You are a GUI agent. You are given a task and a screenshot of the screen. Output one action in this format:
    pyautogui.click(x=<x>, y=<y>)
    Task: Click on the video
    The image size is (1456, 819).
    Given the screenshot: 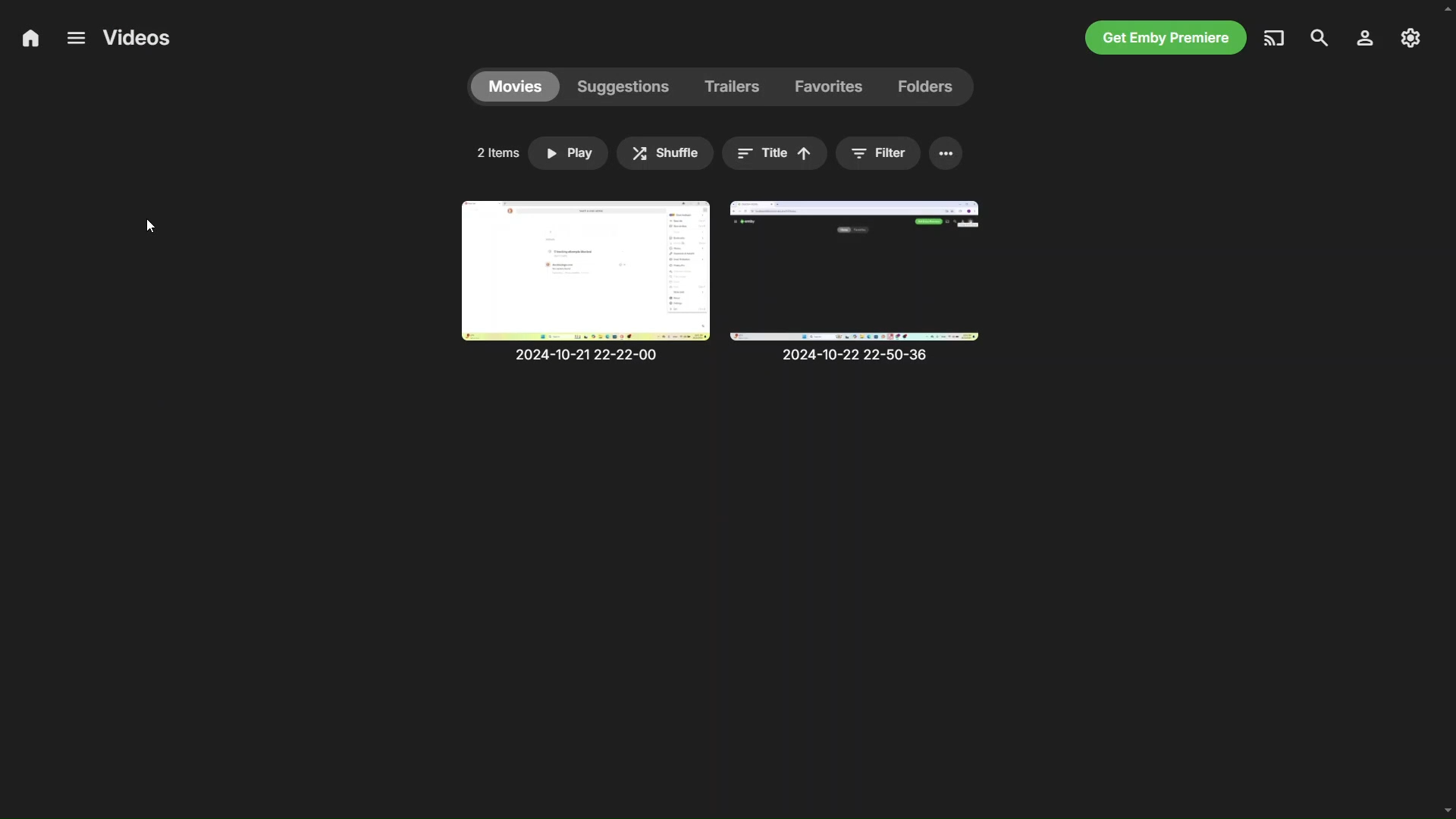 What is the action you would take?
    pyautogui.click(x=870, y=285)
    